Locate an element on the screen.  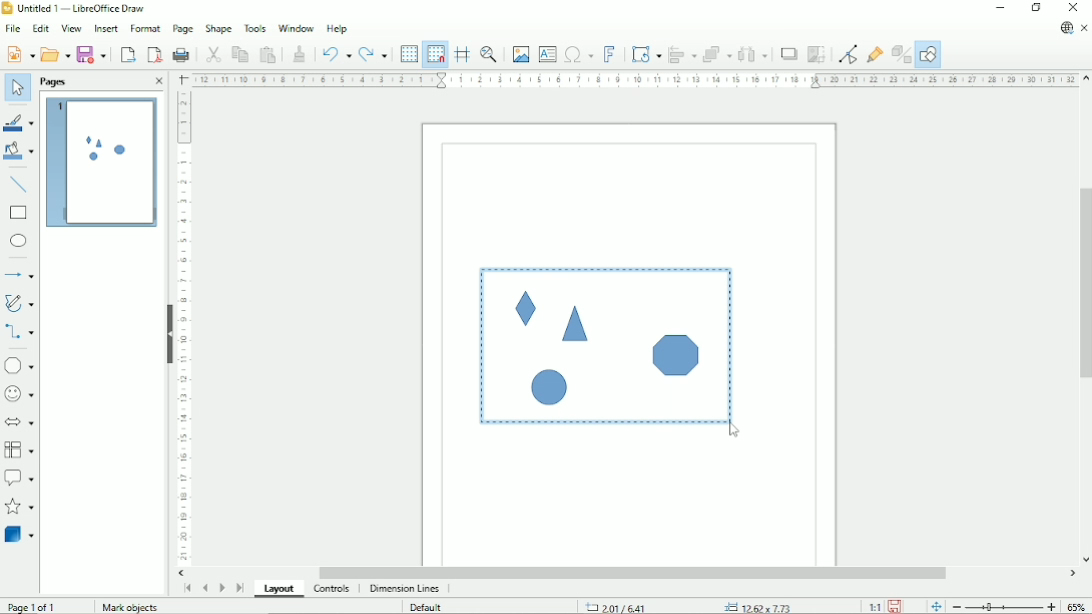
Vertical scroll button is located at coordinates (1085, 79).